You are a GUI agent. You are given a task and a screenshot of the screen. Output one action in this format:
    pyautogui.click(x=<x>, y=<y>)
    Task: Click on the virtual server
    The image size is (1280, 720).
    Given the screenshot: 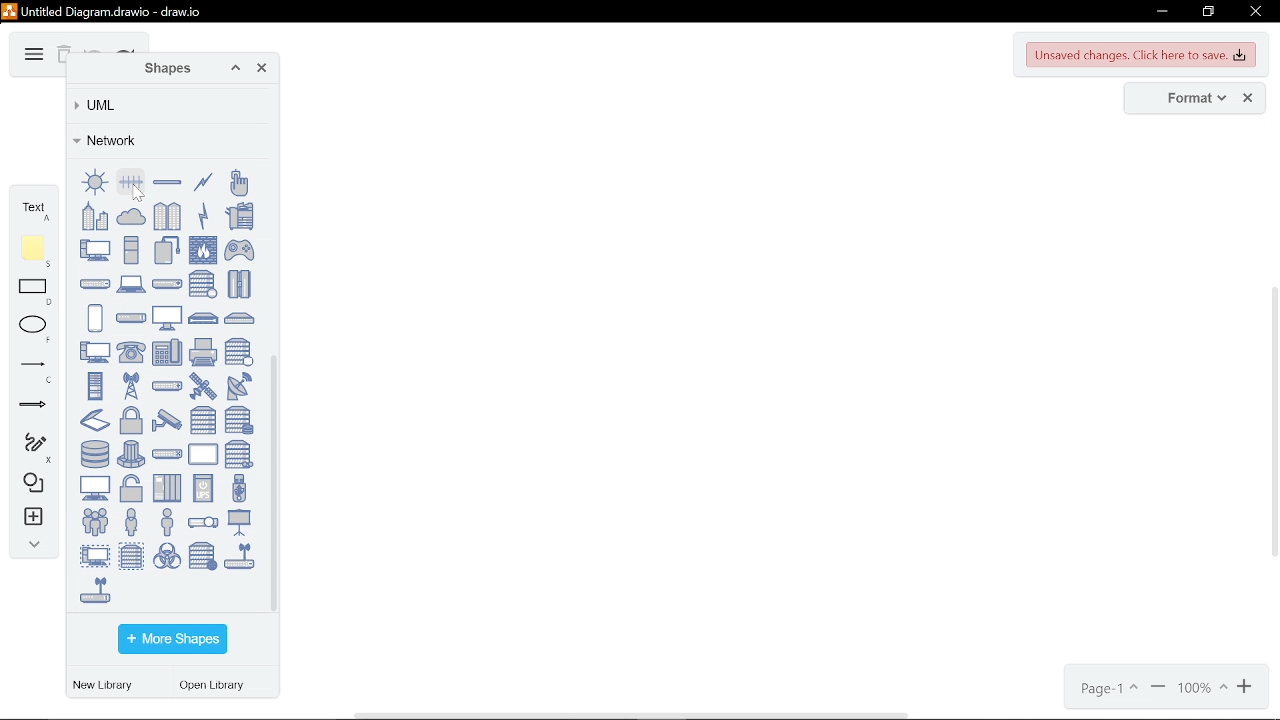 What is the action you would take?
    pyautogui.click(x=131, y=555)
    